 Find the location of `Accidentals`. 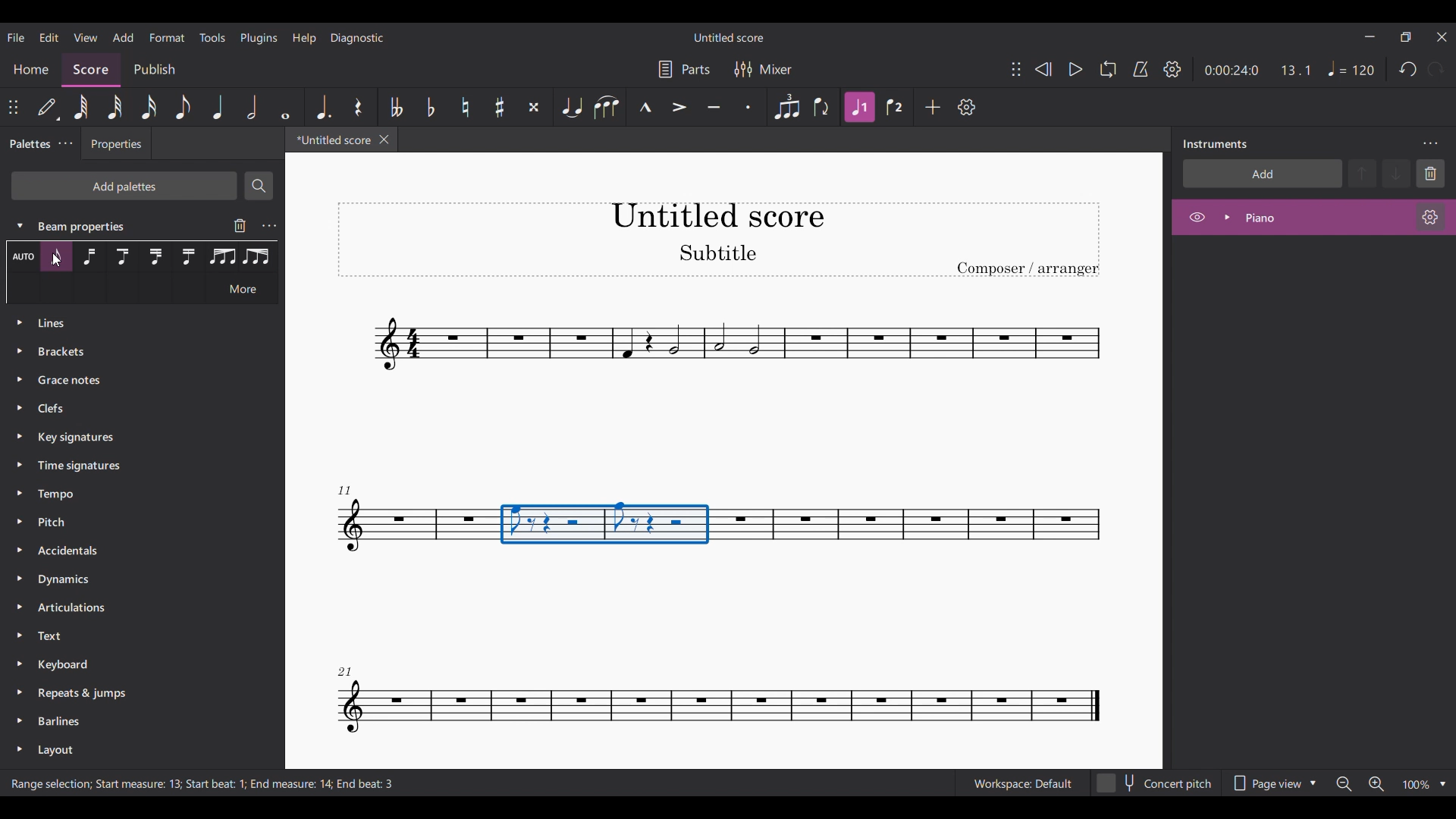

Accidentals is located at coordinates (126, 552).